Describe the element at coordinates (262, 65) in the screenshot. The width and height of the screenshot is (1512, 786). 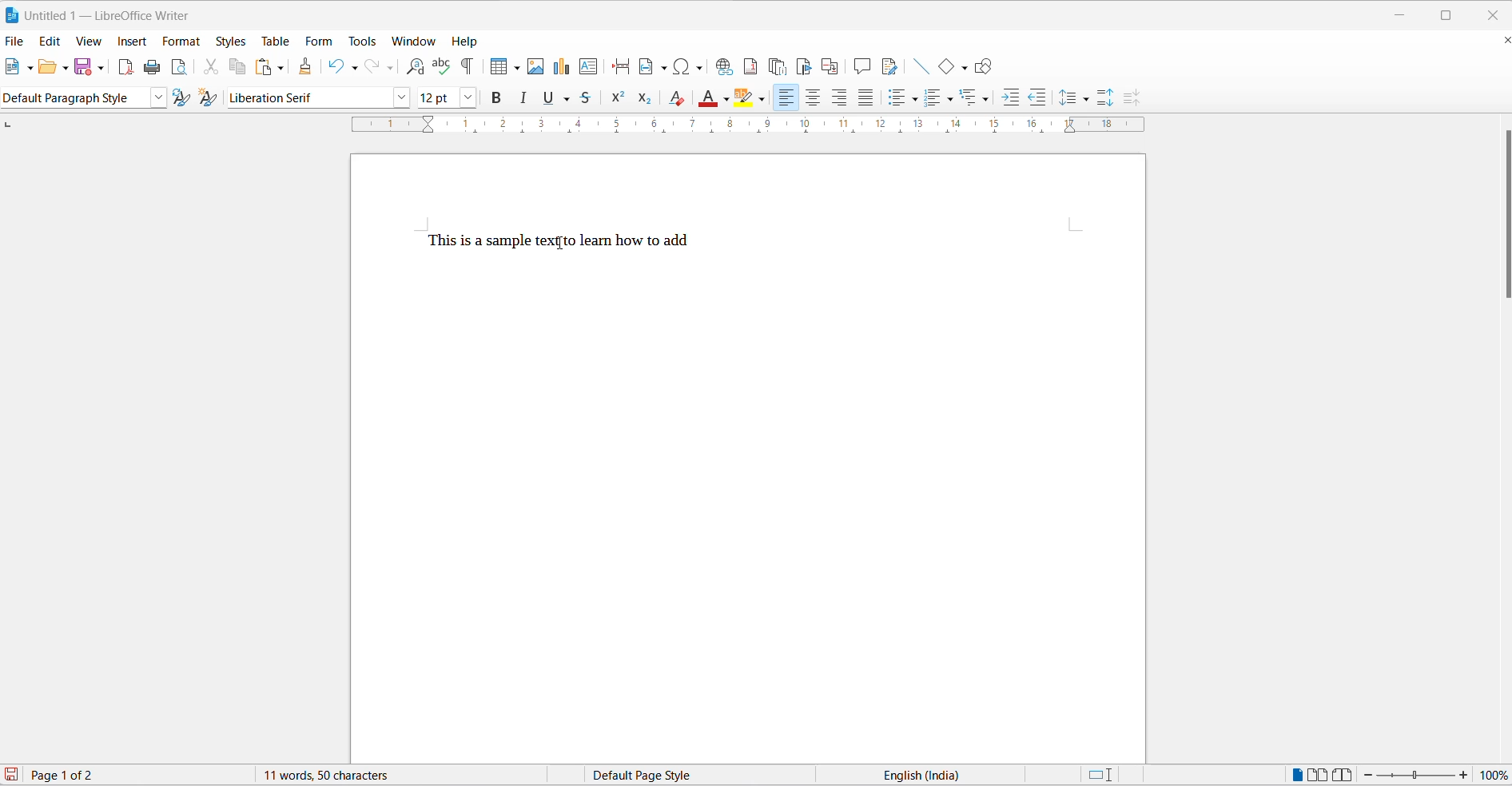
I see `paste` at that location.